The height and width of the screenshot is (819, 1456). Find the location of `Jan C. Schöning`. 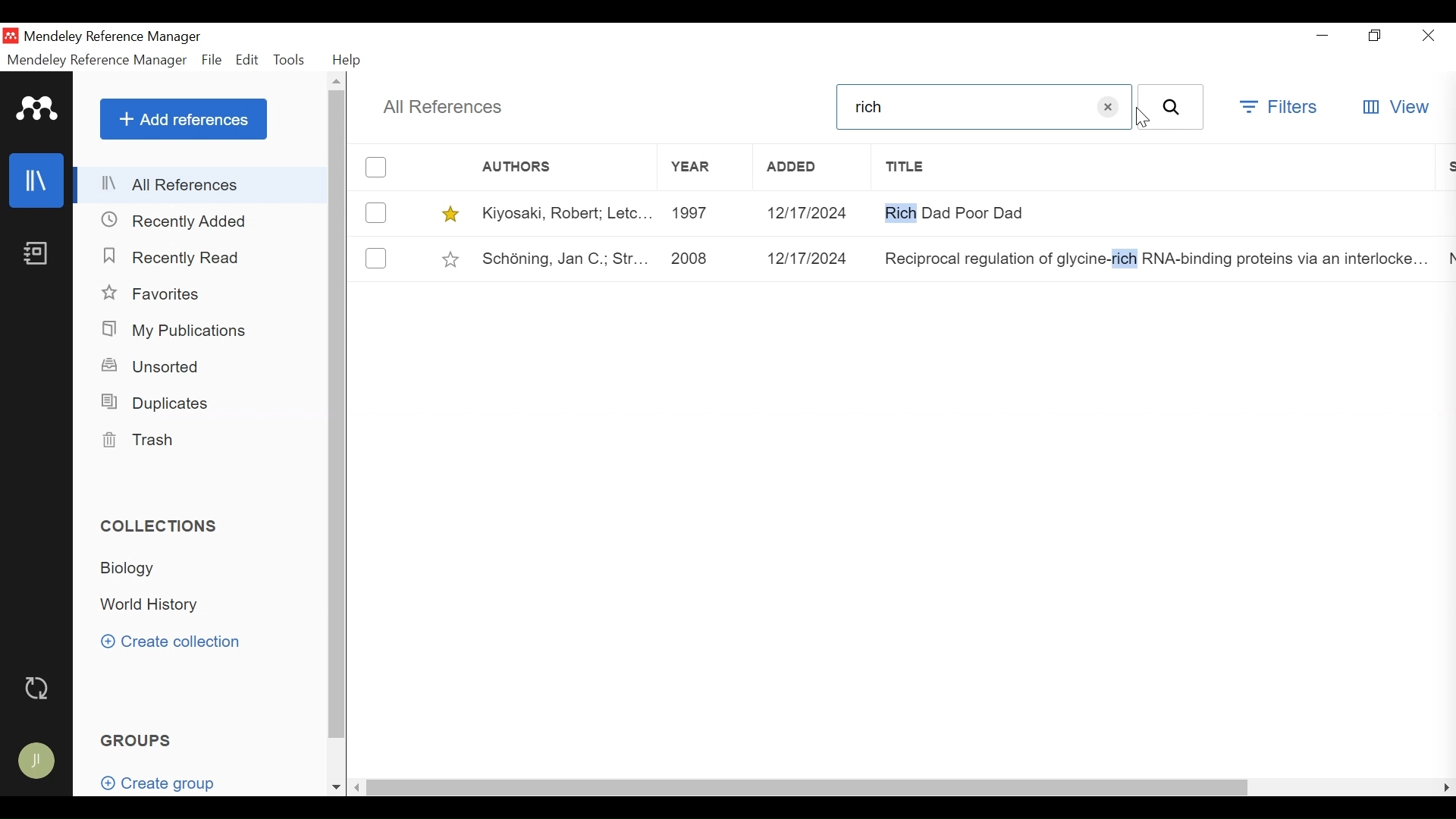

Jan C. Schöning is located at coordinates (561, 257).